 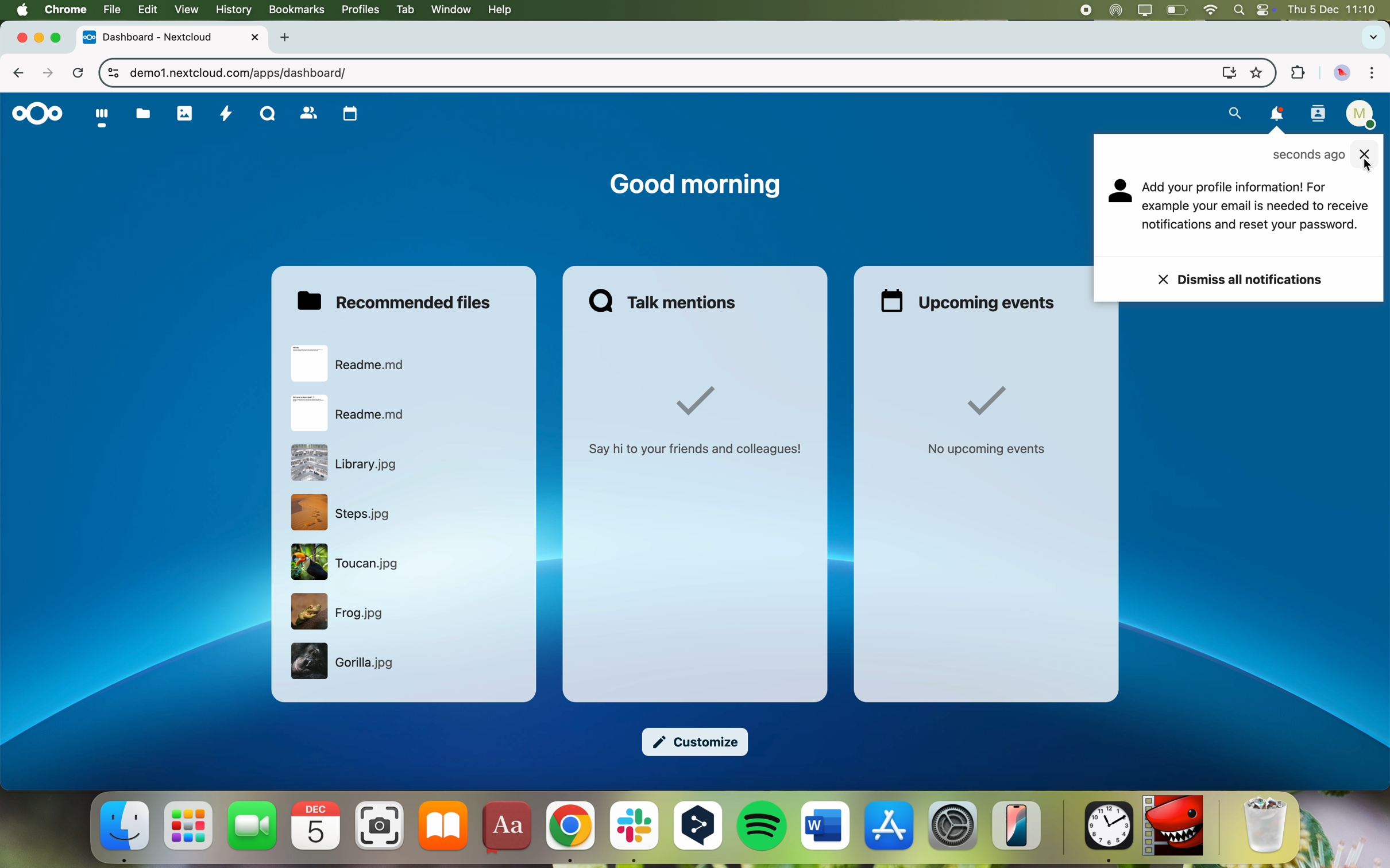 I want to click on cursor, so click(x=1366, y=165).